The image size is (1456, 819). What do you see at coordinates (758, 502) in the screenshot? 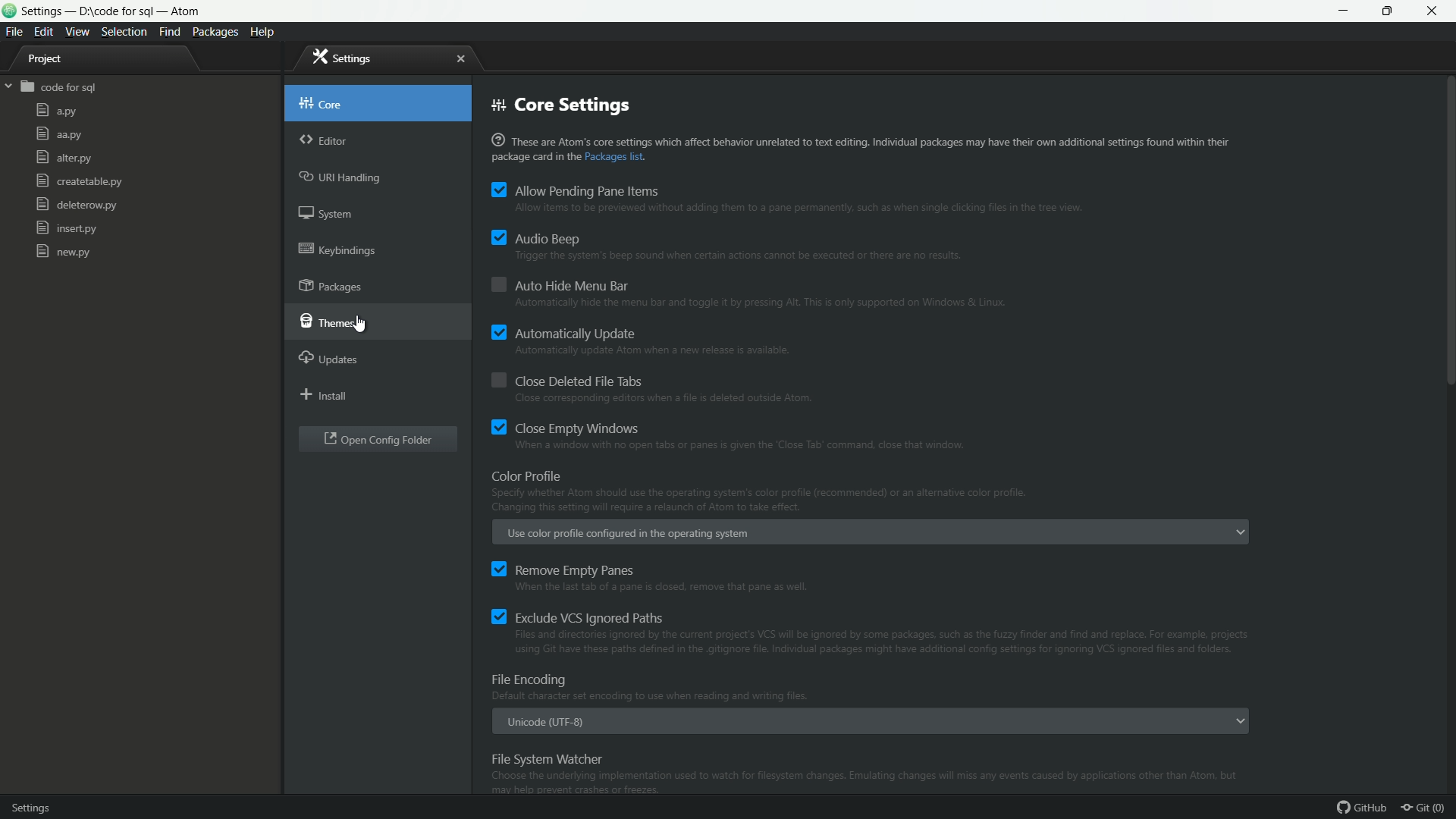
I see `specify whether atom use the operationg system's color profile recommended or an alternative color profile. changing this setting will require a relaunch of atom to take effect.` at bounding box center [758, 502].